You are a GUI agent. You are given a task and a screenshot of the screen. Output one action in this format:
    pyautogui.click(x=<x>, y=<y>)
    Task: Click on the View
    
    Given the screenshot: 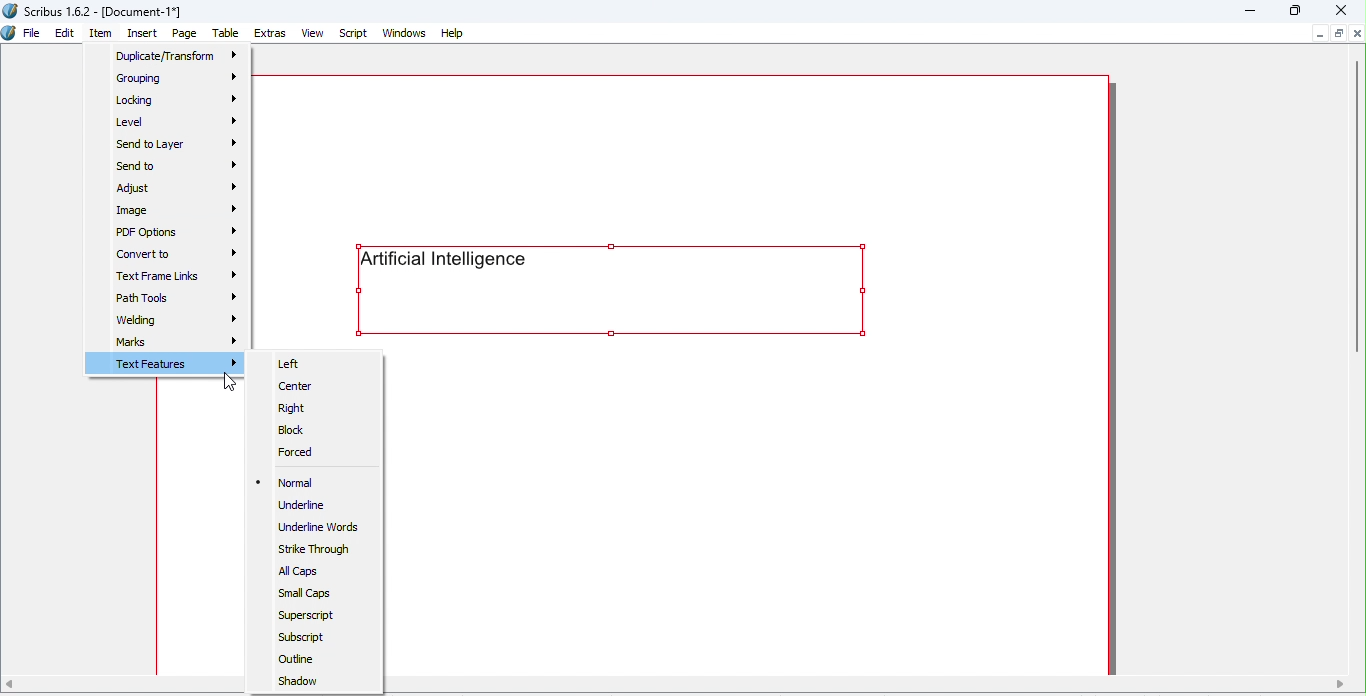 What is the action you would take?
    pyautogui.click(x=315, y=33)
    